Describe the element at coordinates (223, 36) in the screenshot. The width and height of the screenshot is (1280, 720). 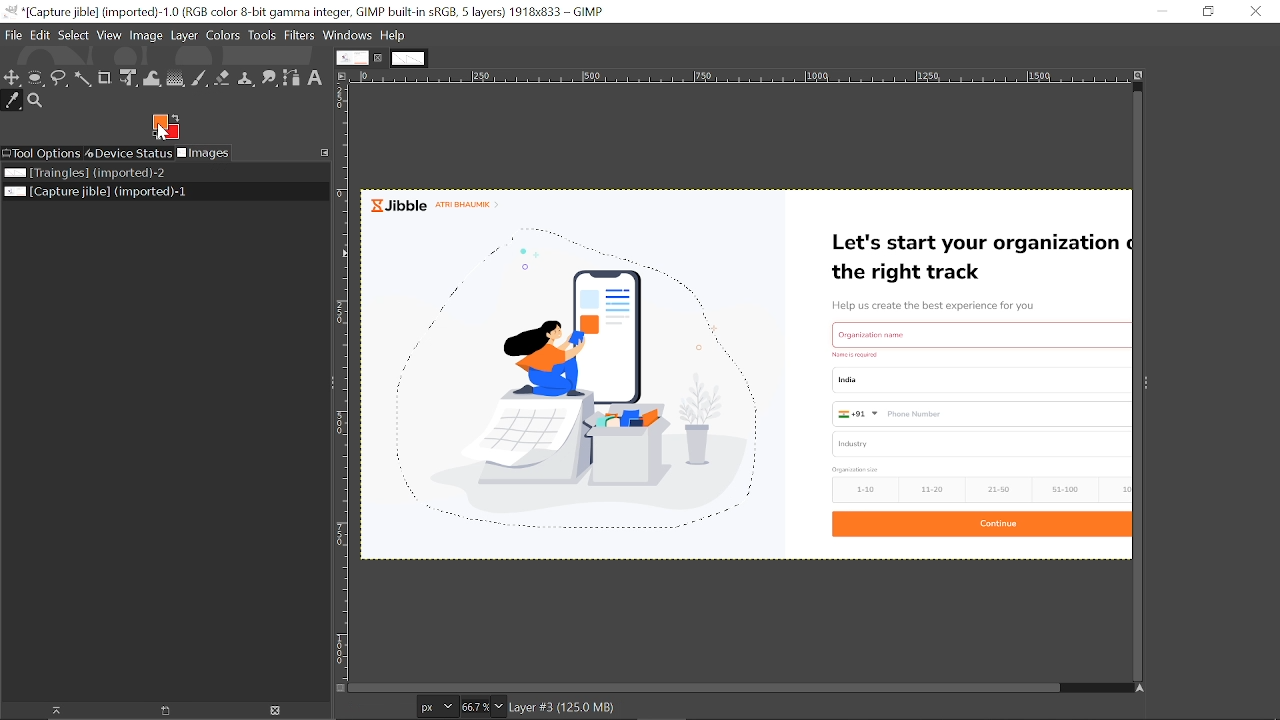
I see `Colors` at that location.